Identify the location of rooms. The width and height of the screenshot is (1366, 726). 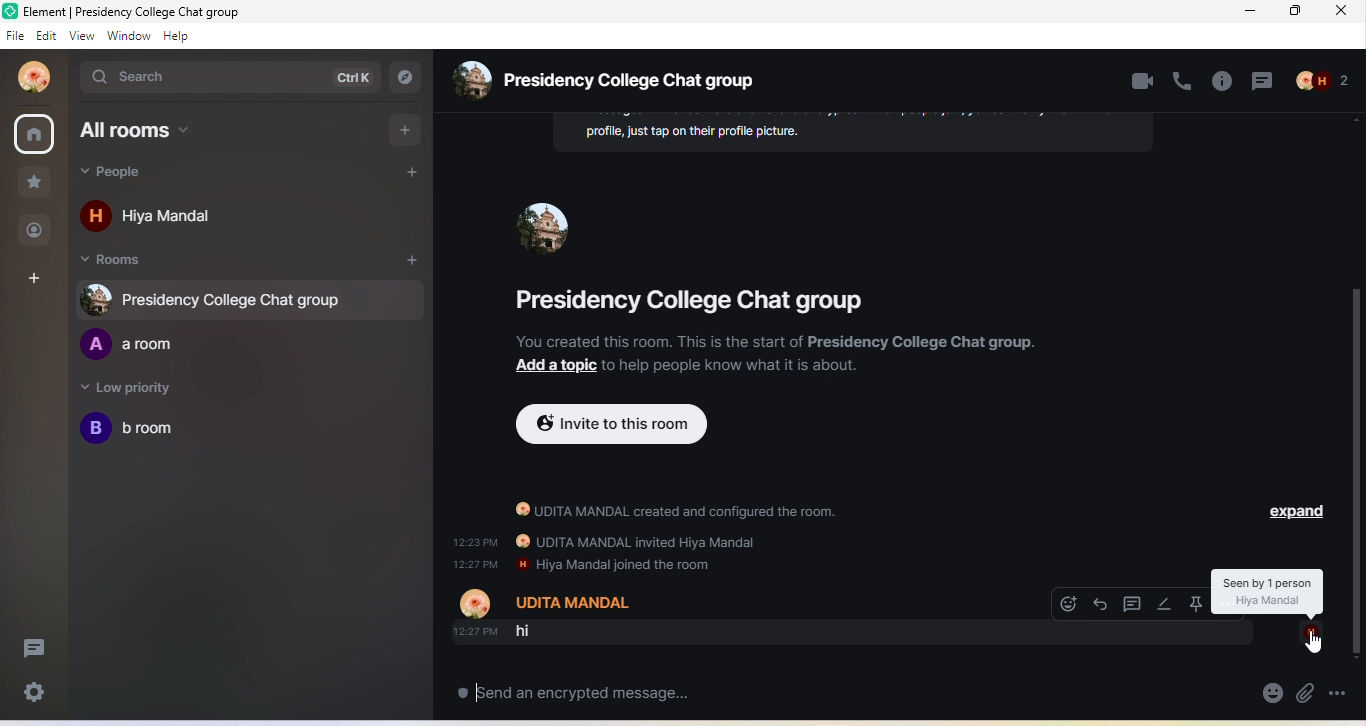
(129, 260).